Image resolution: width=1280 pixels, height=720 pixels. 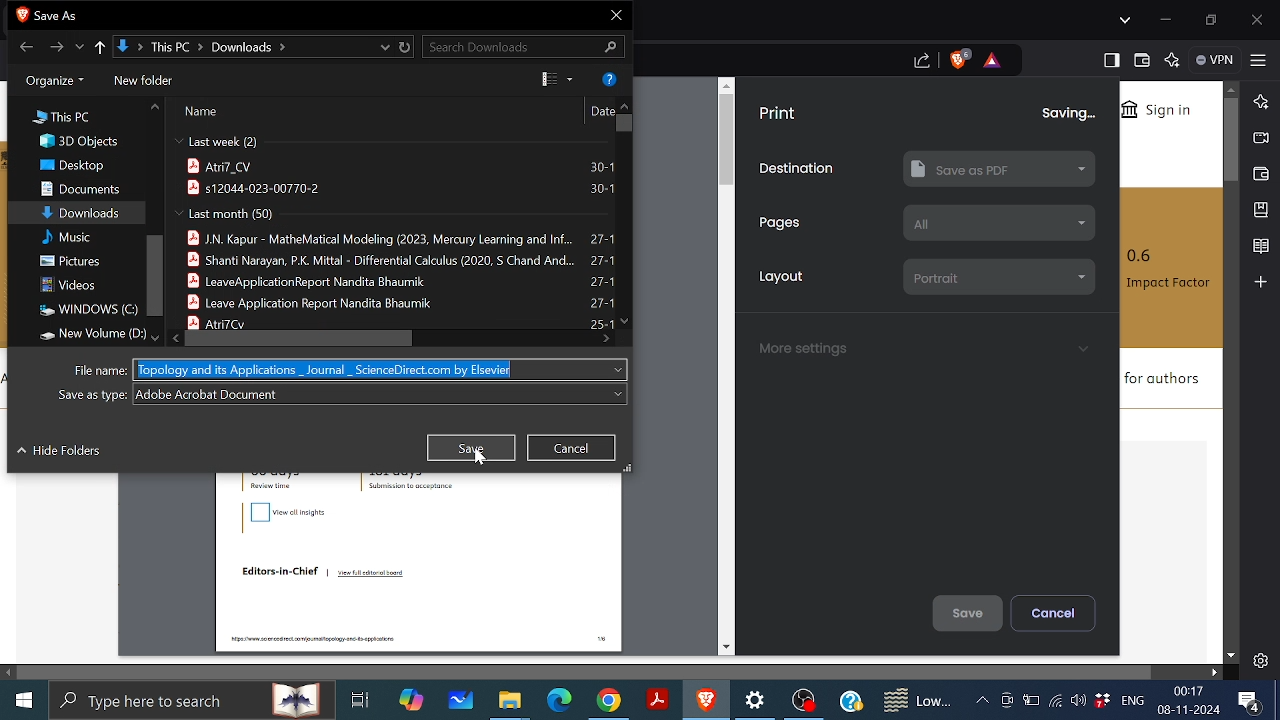 I want to click on Move up, so click(x=625, y=107).